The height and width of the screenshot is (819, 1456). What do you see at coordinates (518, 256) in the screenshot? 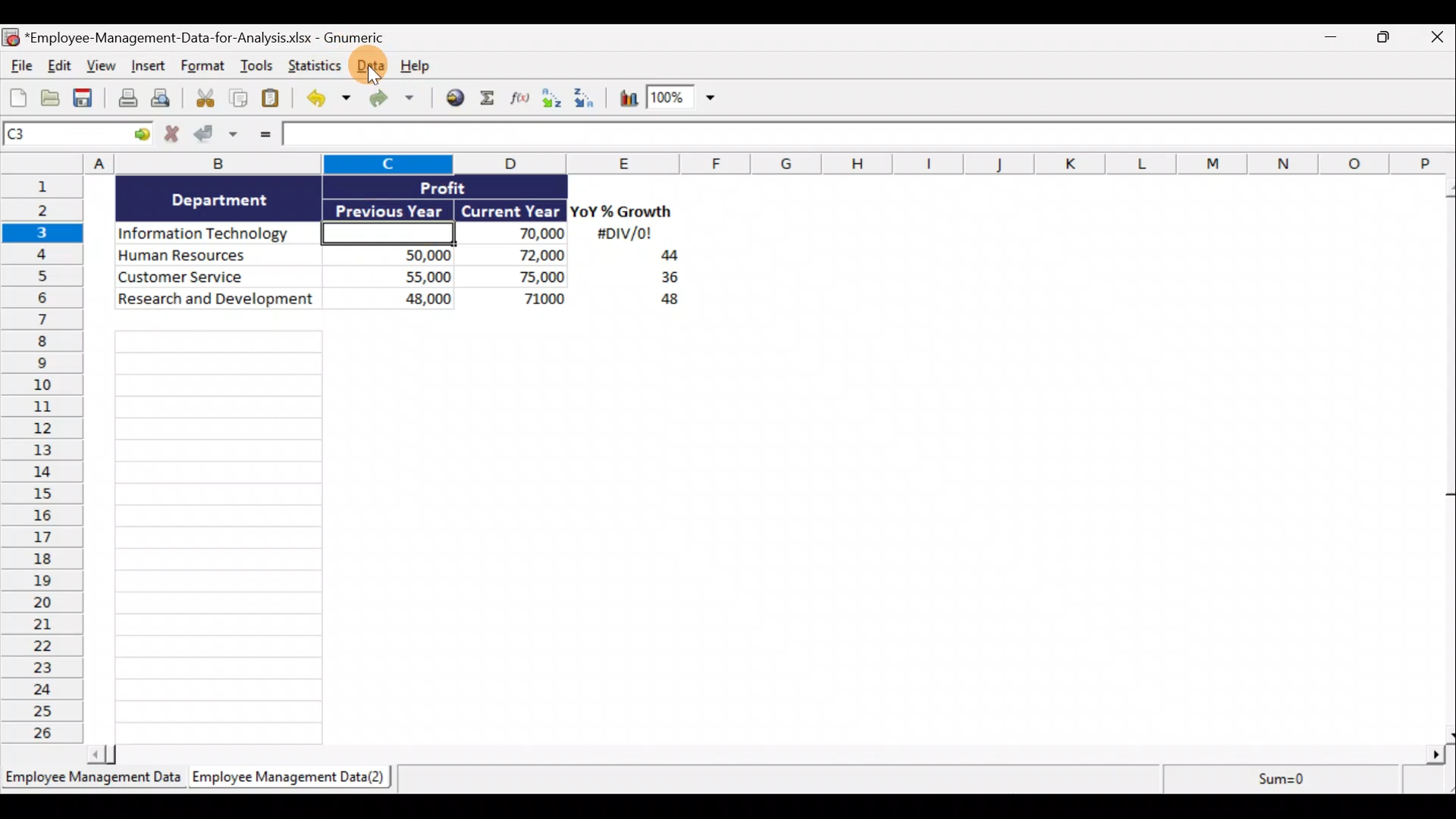
I see `72,000` at bounding box center [518, 256].